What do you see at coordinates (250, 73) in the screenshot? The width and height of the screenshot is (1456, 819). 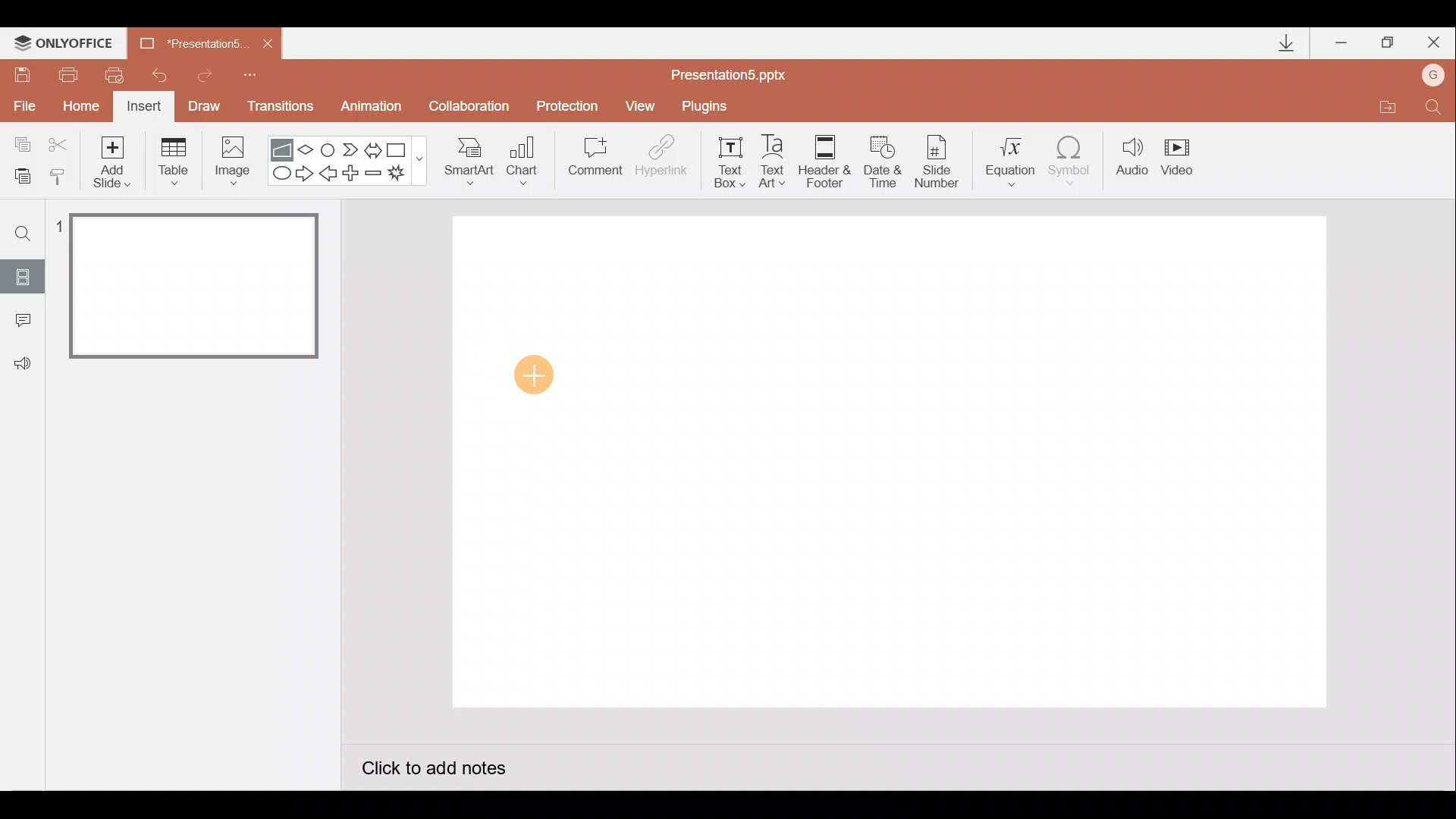 I see `Customize quick access toolbar` at bounding box center [250, 73].